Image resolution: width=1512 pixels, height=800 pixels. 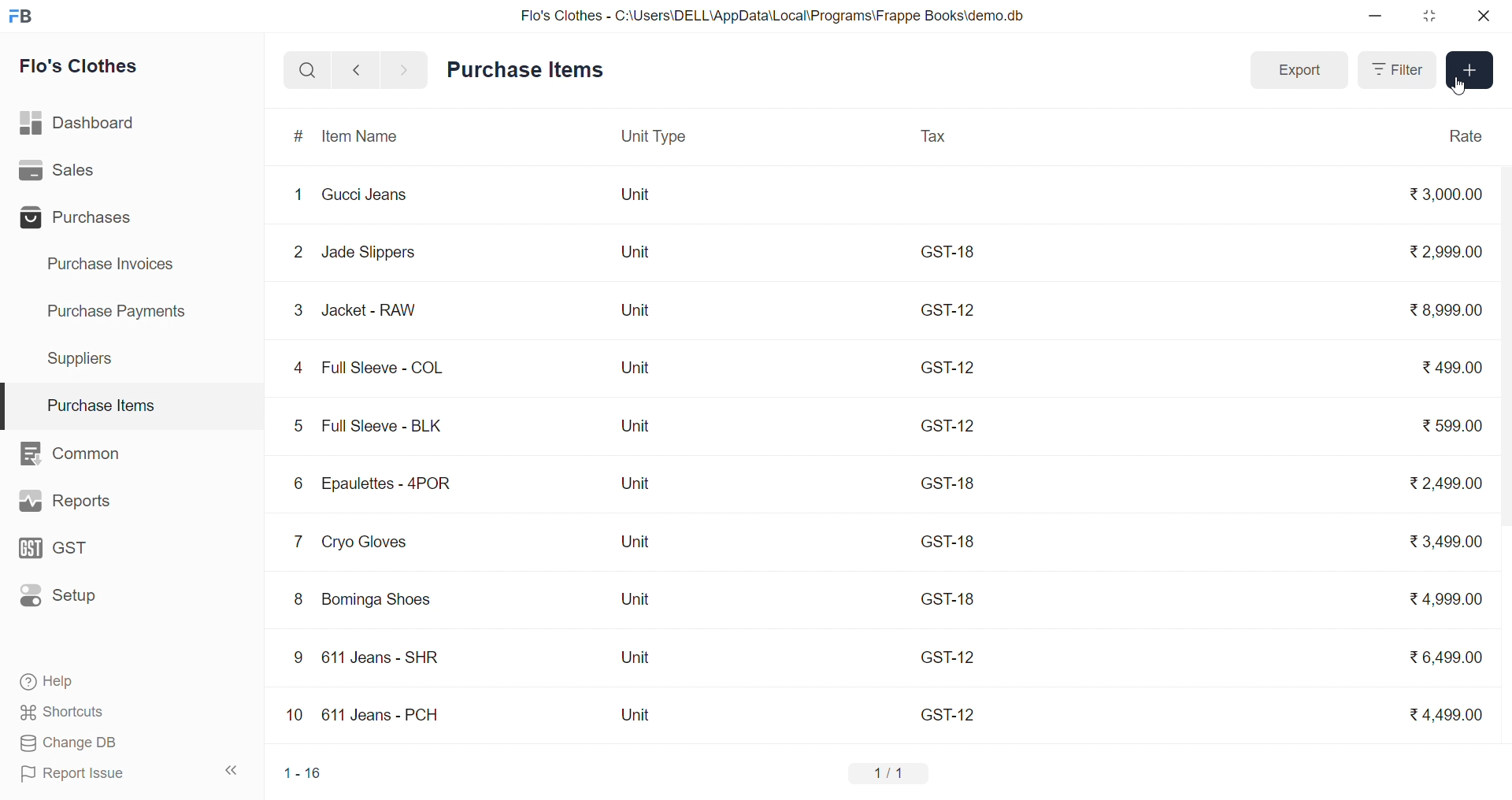 I want to click on Unit, so click(x=639, y=367).